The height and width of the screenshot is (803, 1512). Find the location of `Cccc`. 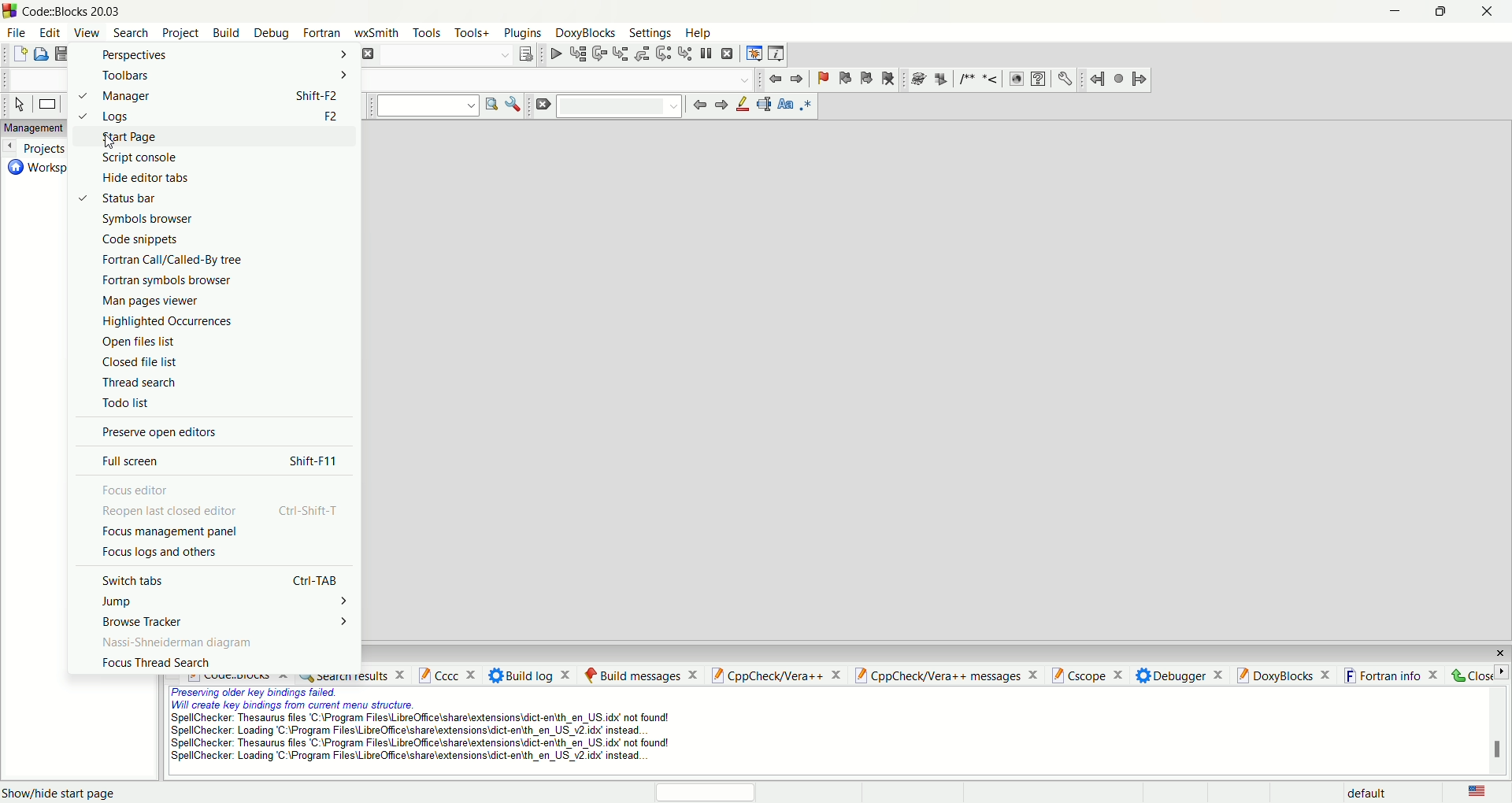

Cccc is located at coordinates (448, 675).